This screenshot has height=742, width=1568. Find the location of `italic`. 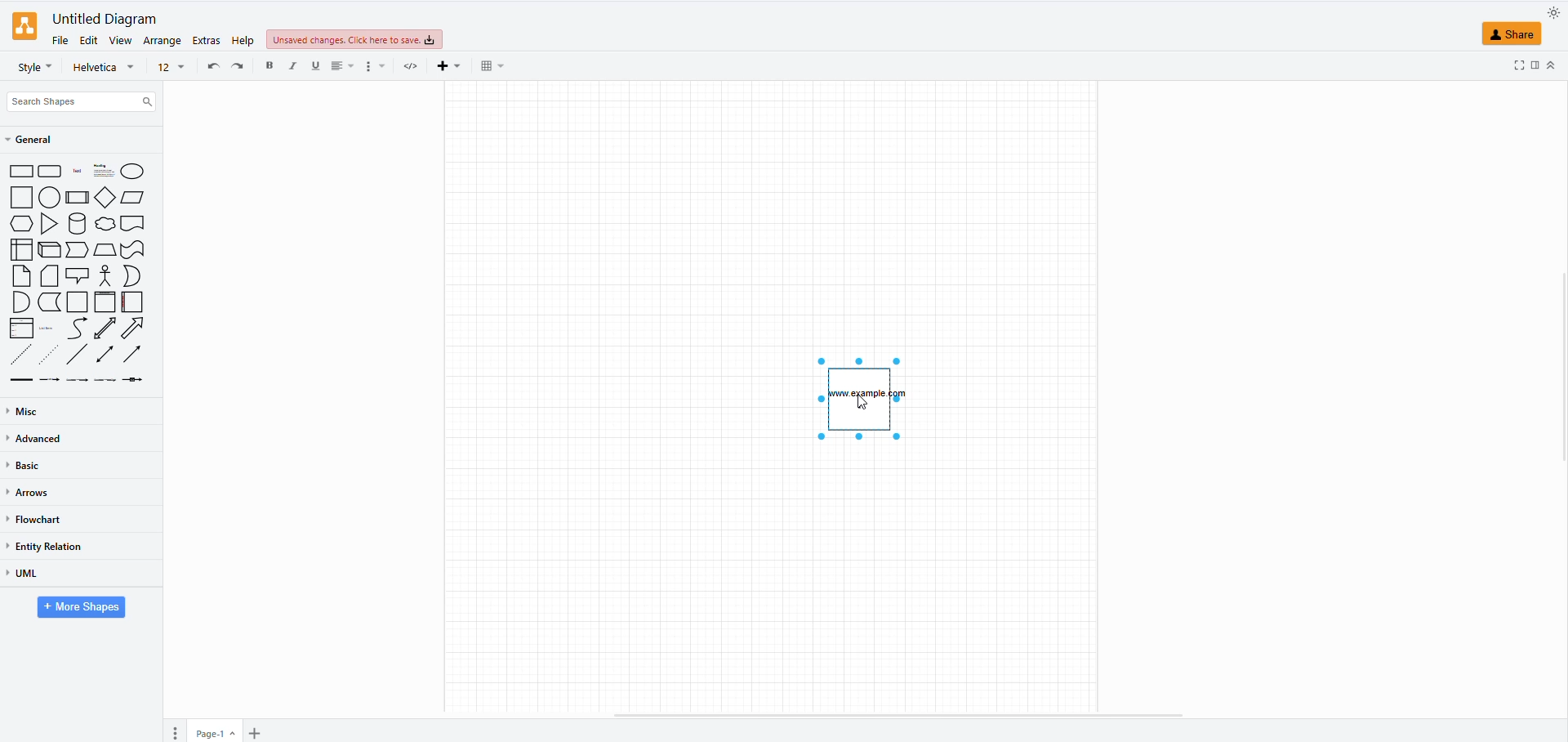

italic is located at coordinates (296, 65).